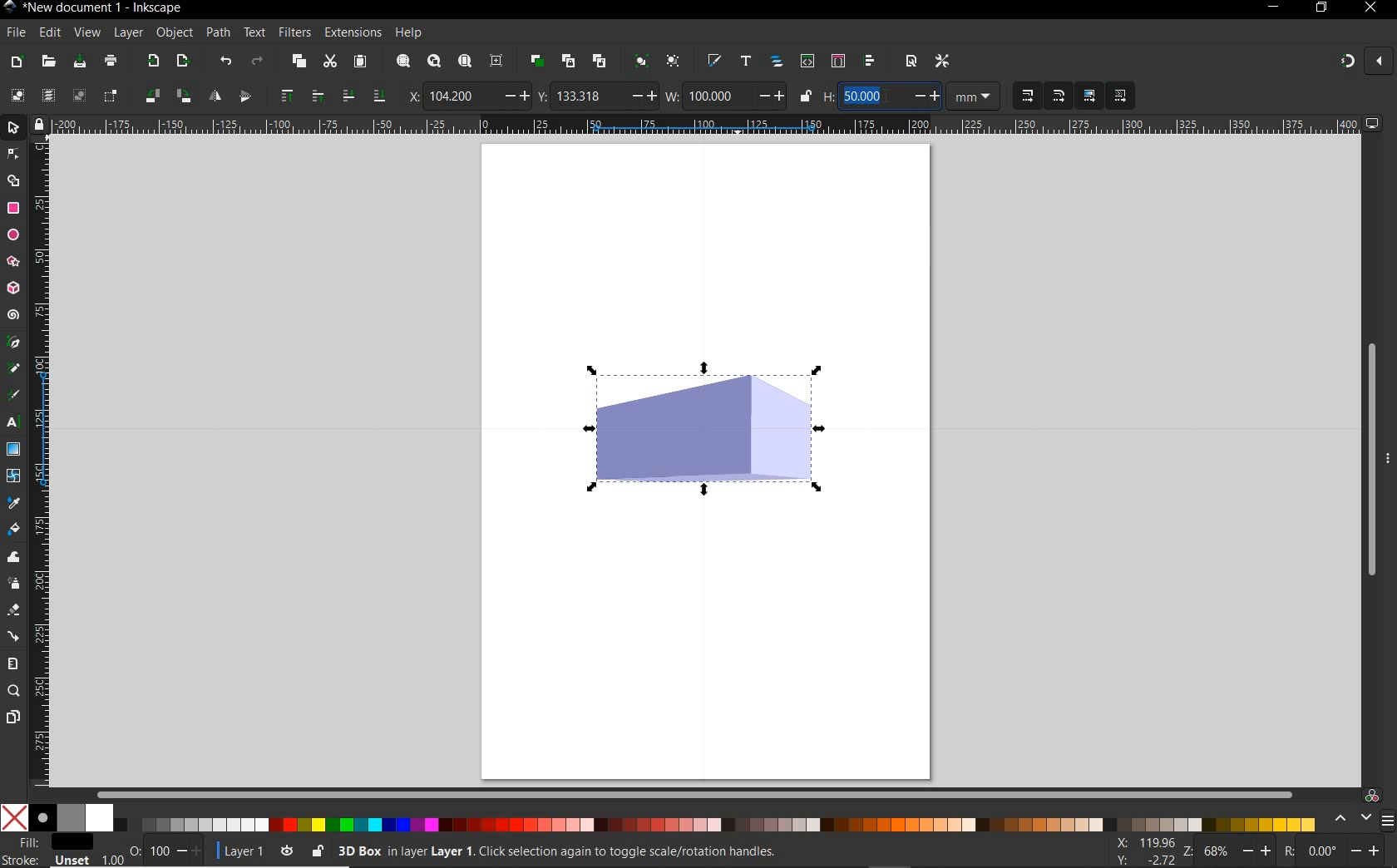  I want to click on move gradients, so click(1090, 96).